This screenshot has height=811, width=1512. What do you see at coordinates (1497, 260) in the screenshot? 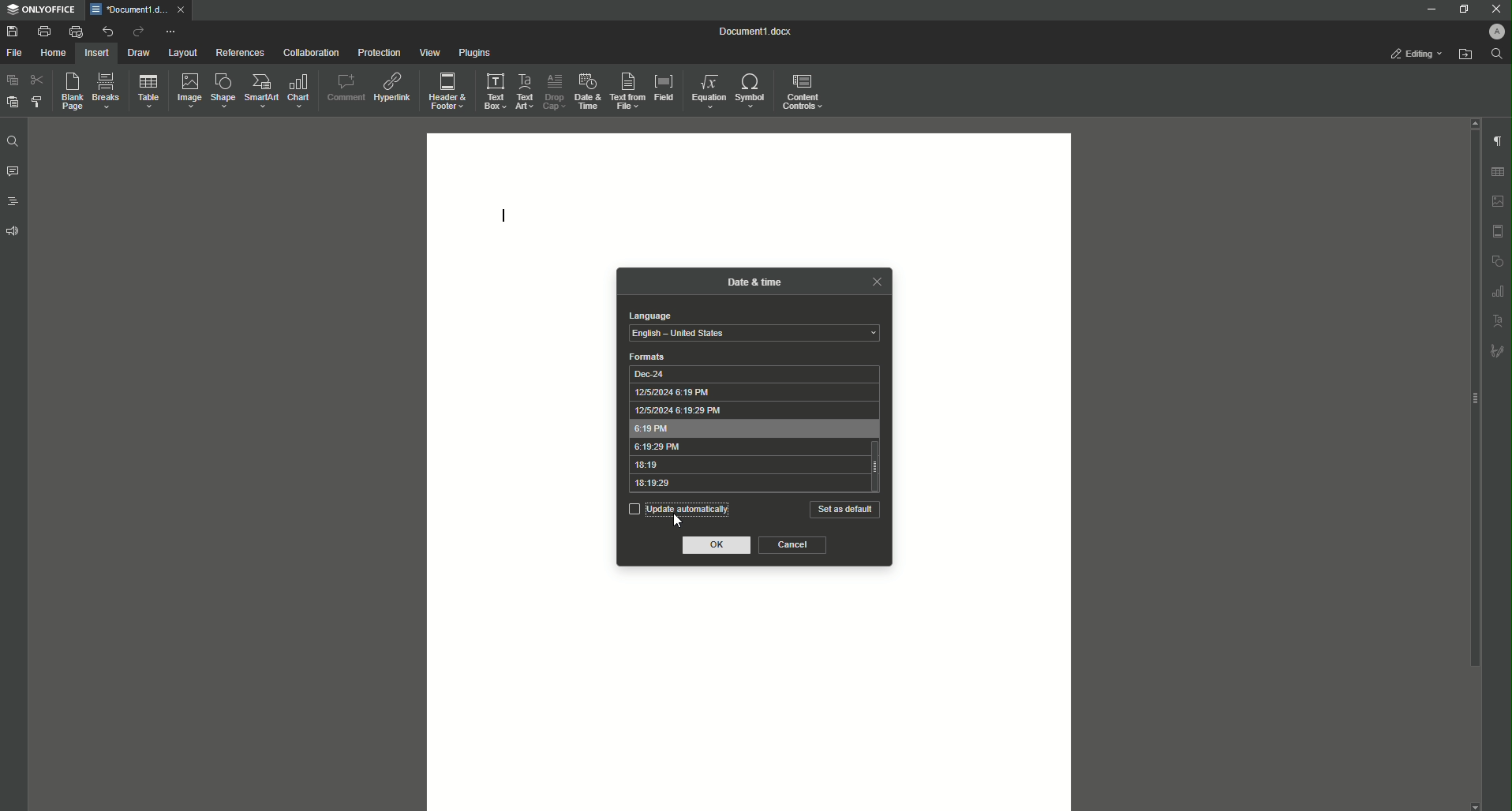
I see `shape settings` at bounding box center [1497, 260].